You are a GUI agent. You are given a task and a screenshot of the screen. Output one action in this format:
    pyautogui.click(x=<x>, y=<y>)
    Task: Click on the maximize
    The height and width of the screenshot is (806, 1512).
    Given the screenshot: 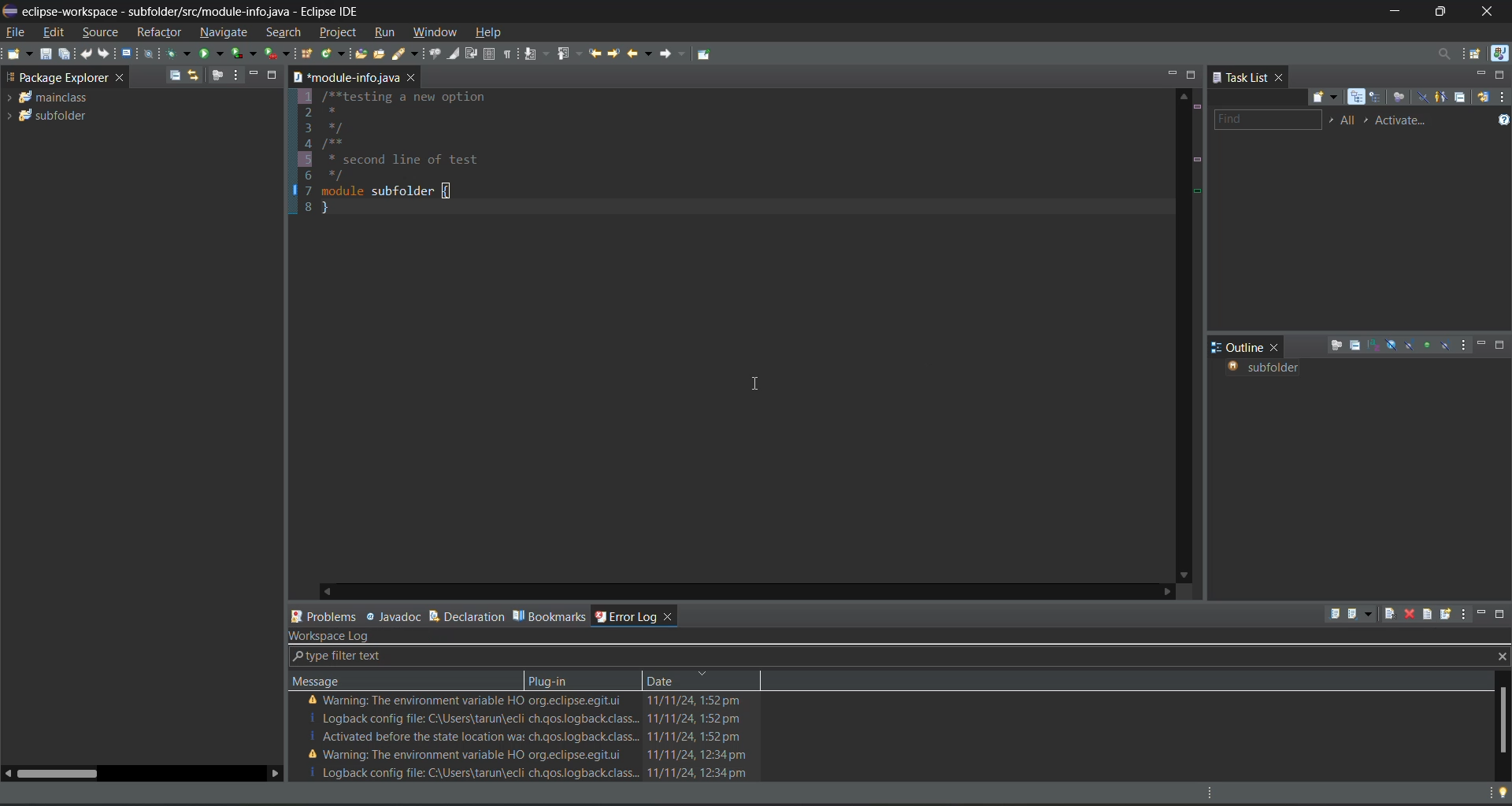 What is the action you would take?
    pyautogui.click(x=1442, y=12)
    